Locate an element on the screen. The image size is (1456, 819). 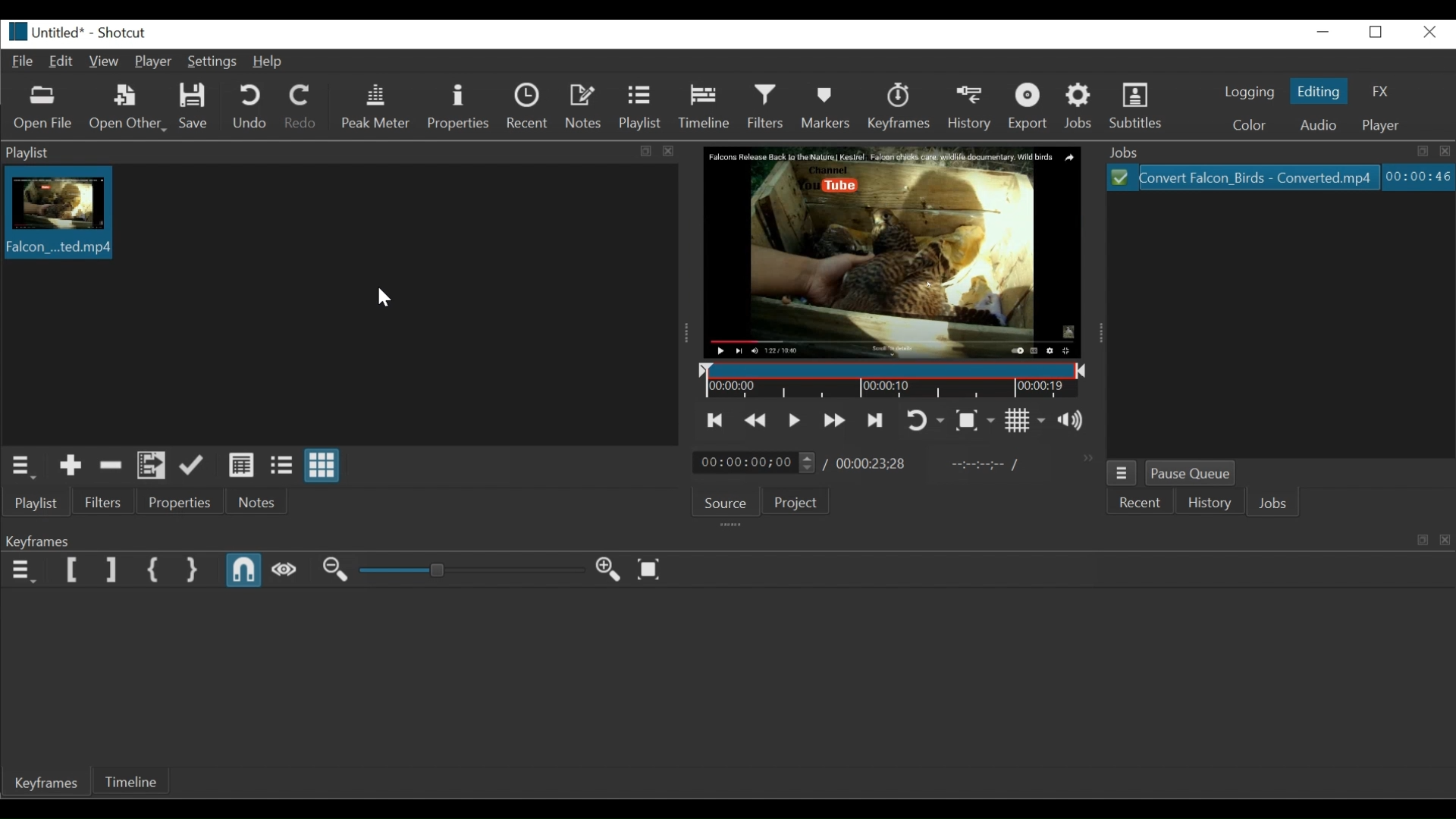
Markers is located at coordinates (827, 107).